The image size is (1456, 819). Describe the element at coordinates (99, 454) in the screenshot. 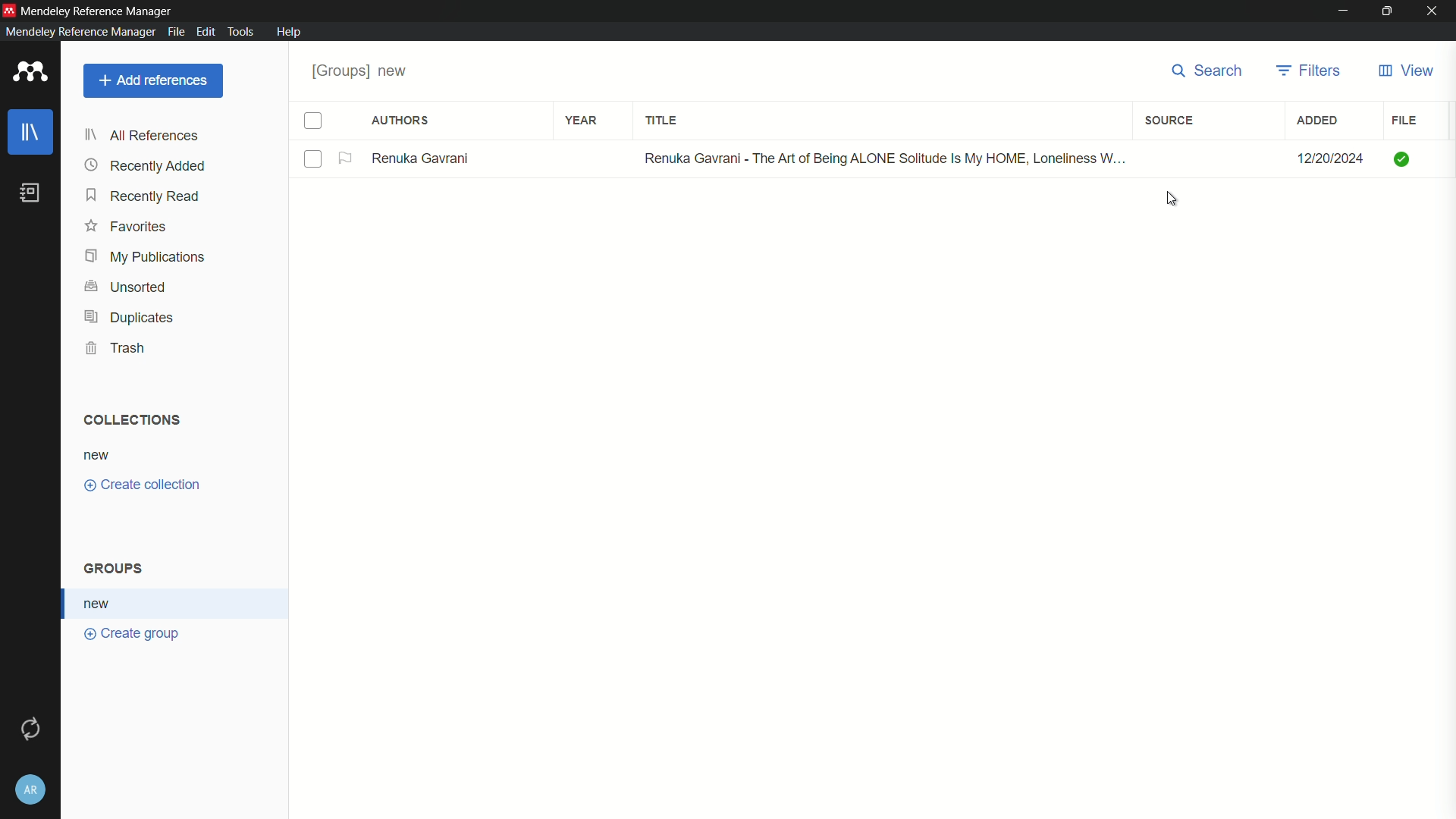

I see `new` at that location.